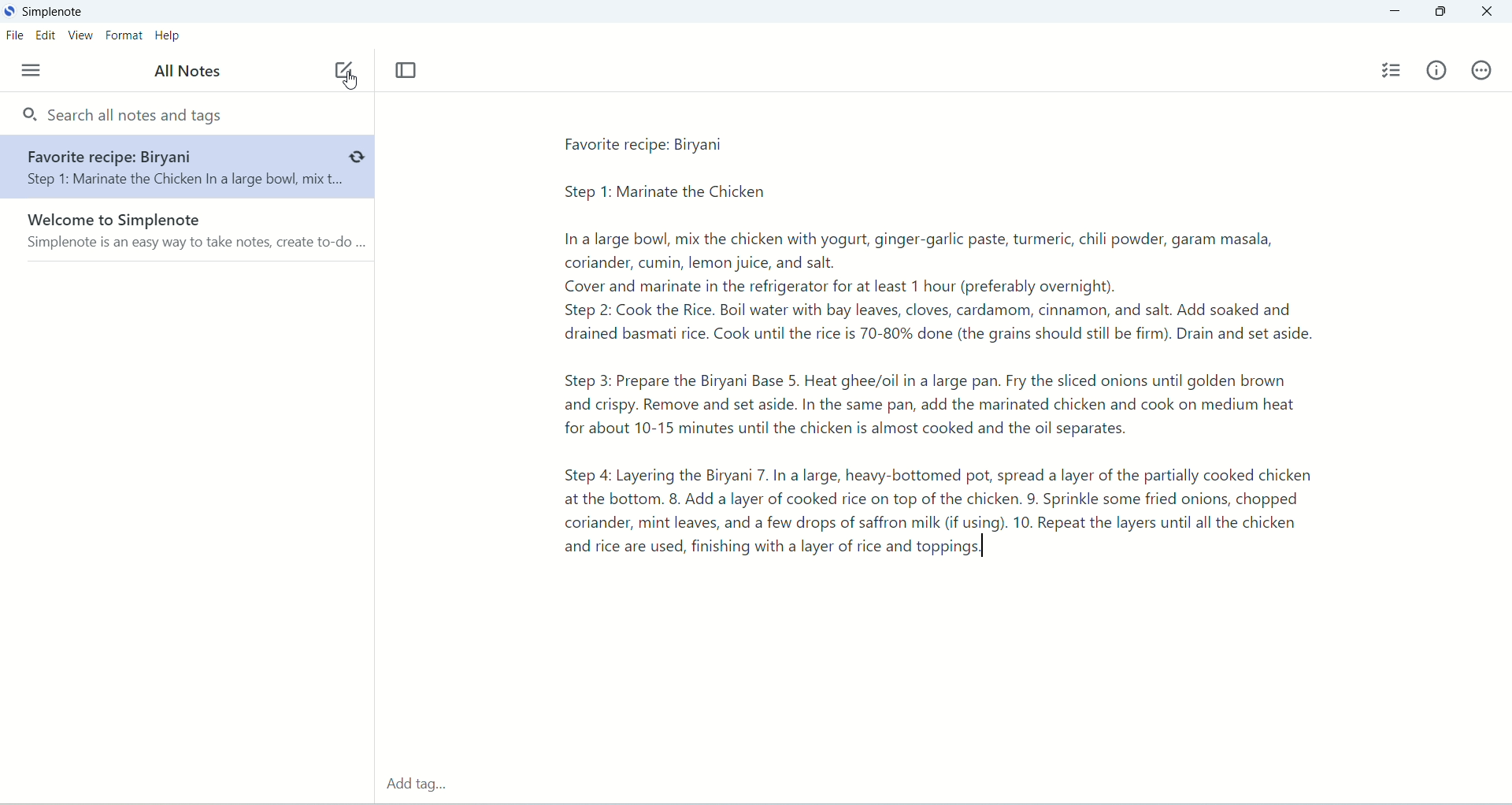 The height and width of the screenshot is (805, 1512). Describe the element at coordinates (1484, 73) in the screenshot. I see `actions` at that location.